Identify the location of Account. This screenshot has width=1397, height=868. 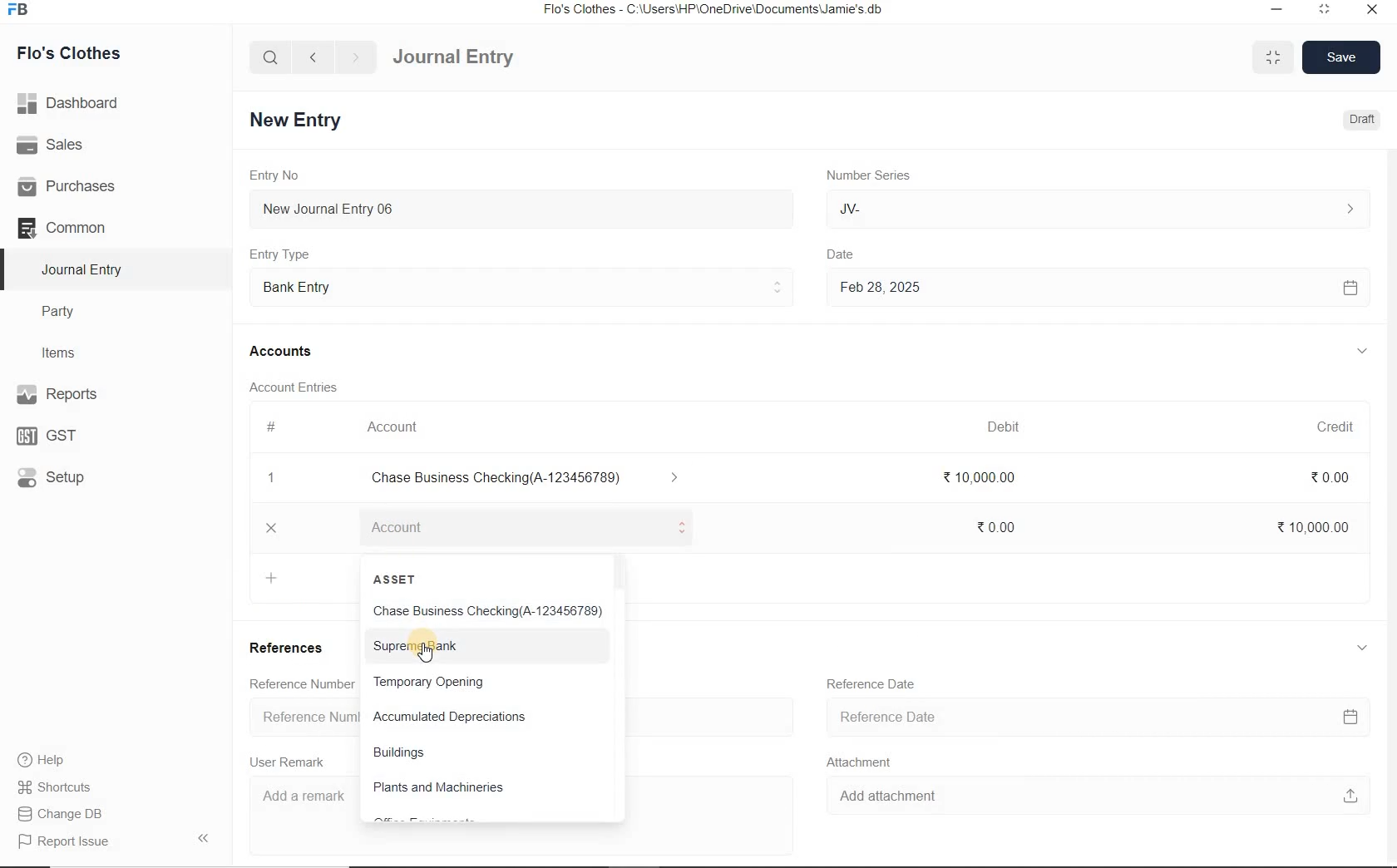
(398, 427).